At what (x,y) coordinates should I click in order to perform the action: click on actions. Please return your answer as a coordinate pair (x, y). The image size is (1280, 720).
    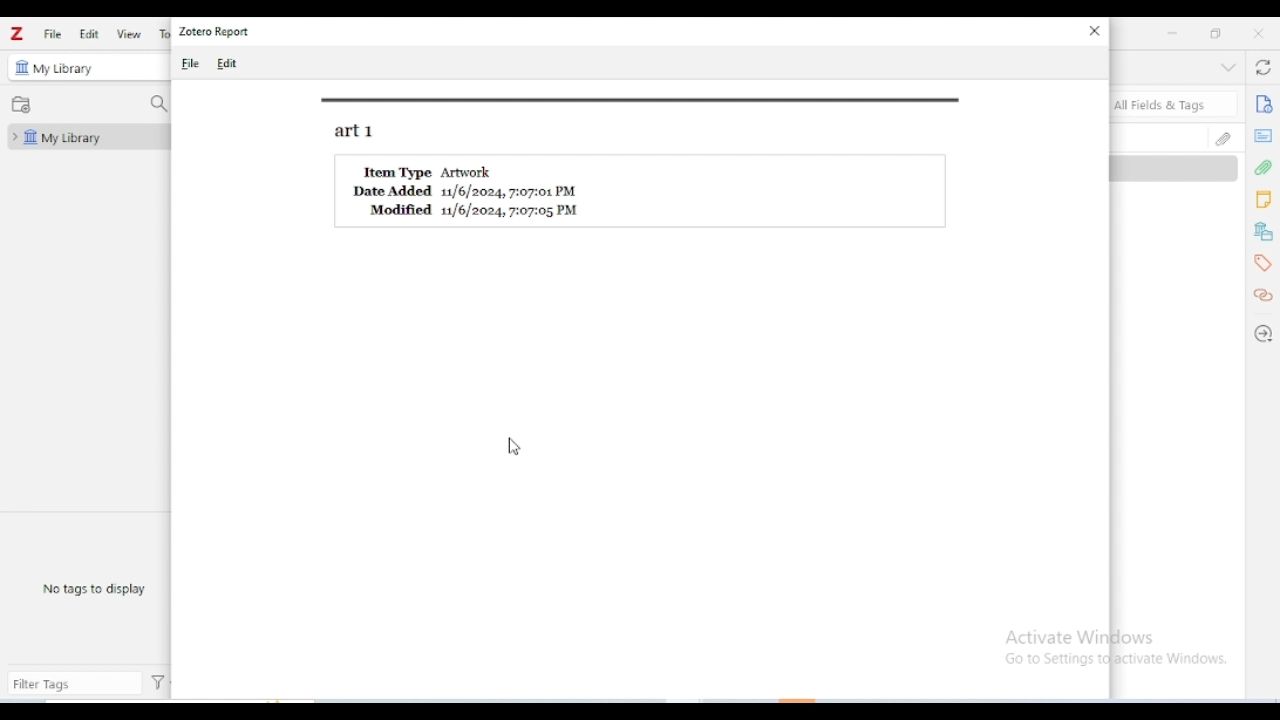
    Looking at the image, I should click on (158, 683).